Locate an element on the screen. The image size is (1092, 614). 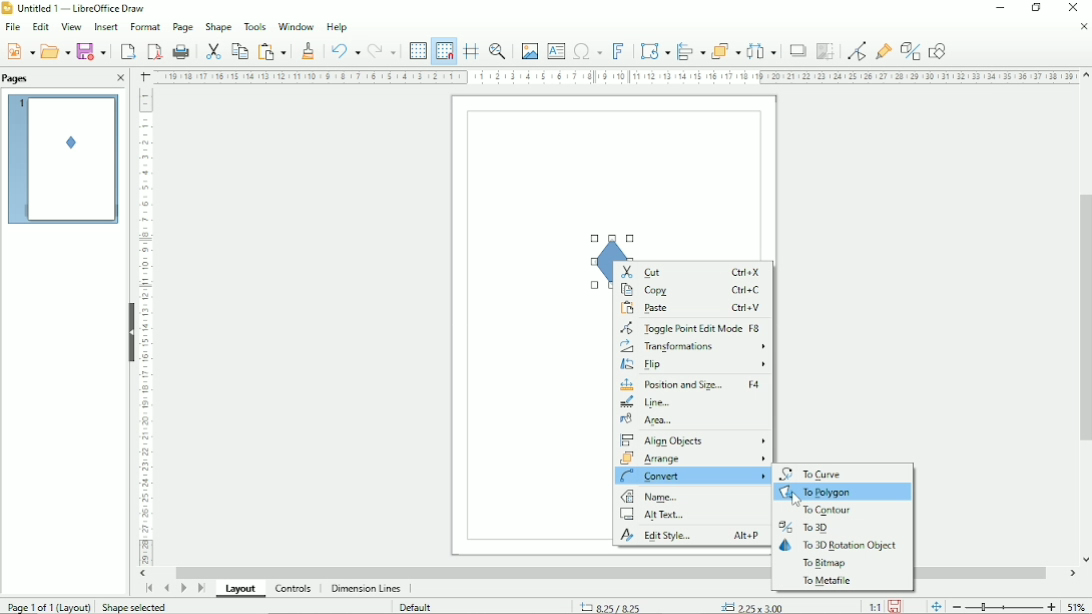
Export is located at coordinates (126, 50).